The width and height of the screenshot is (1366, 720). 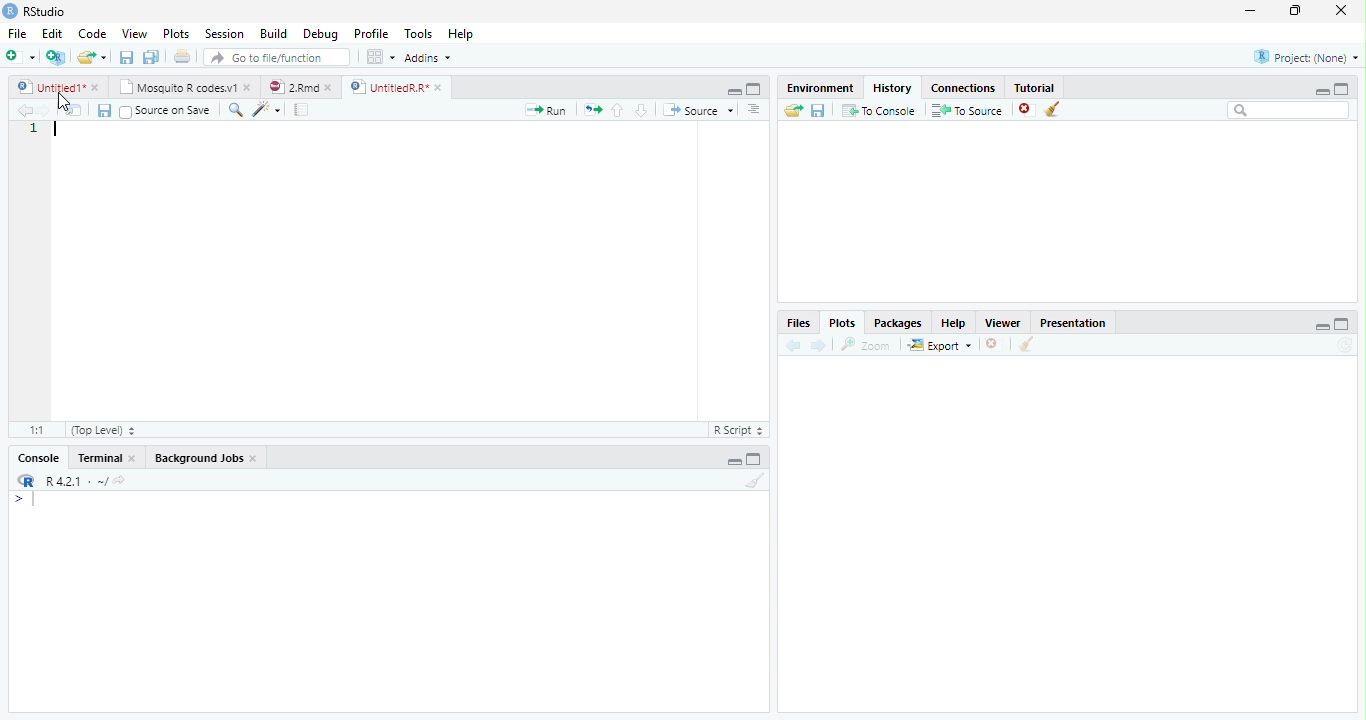 What do you see at coordinates (319, 34) in the screenshot?
I see `Debug` at bounding box center [319, 34].